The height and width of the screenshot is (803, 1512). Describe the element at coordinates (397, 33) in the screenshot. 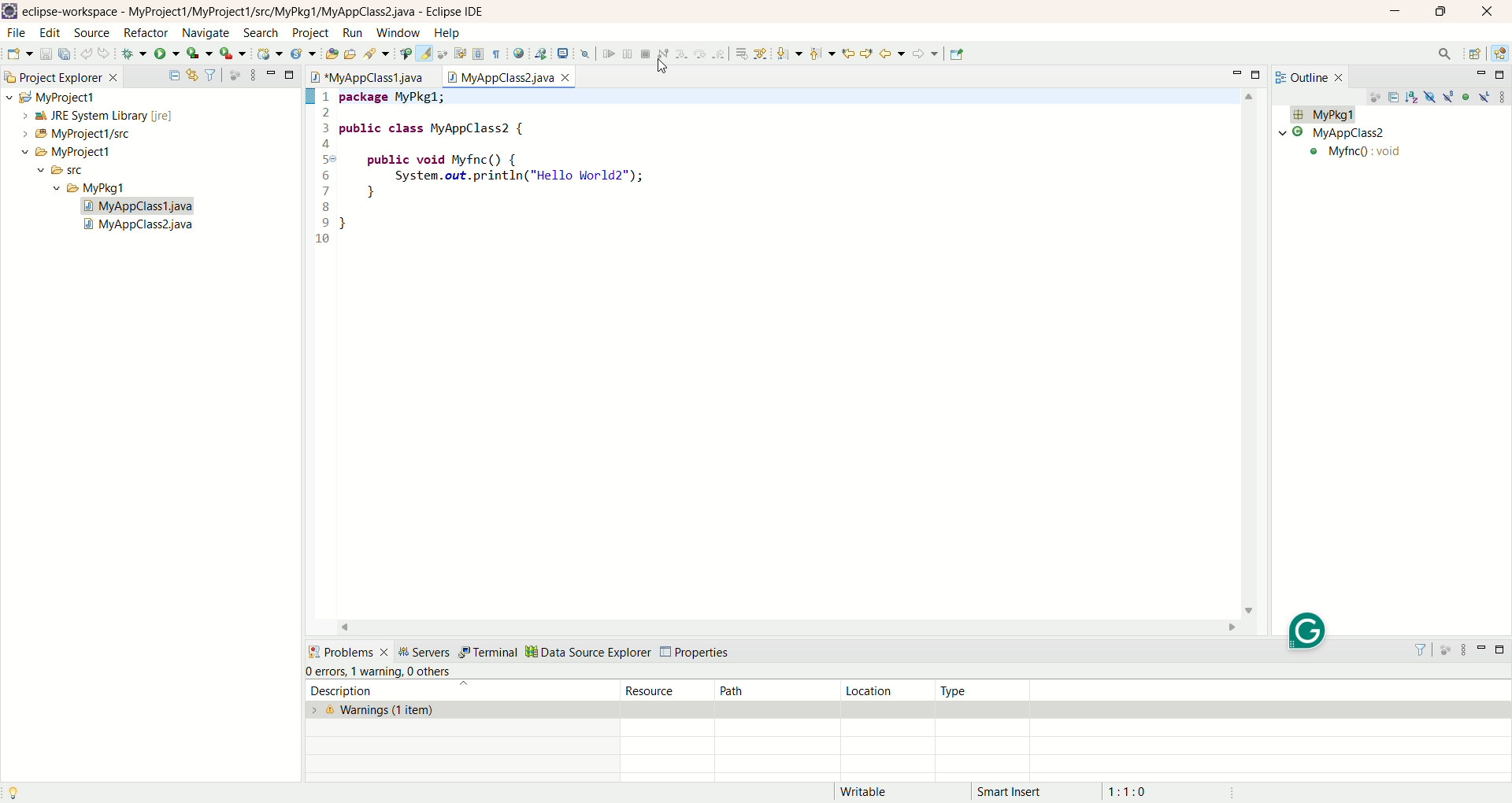

I see `window` at that location.